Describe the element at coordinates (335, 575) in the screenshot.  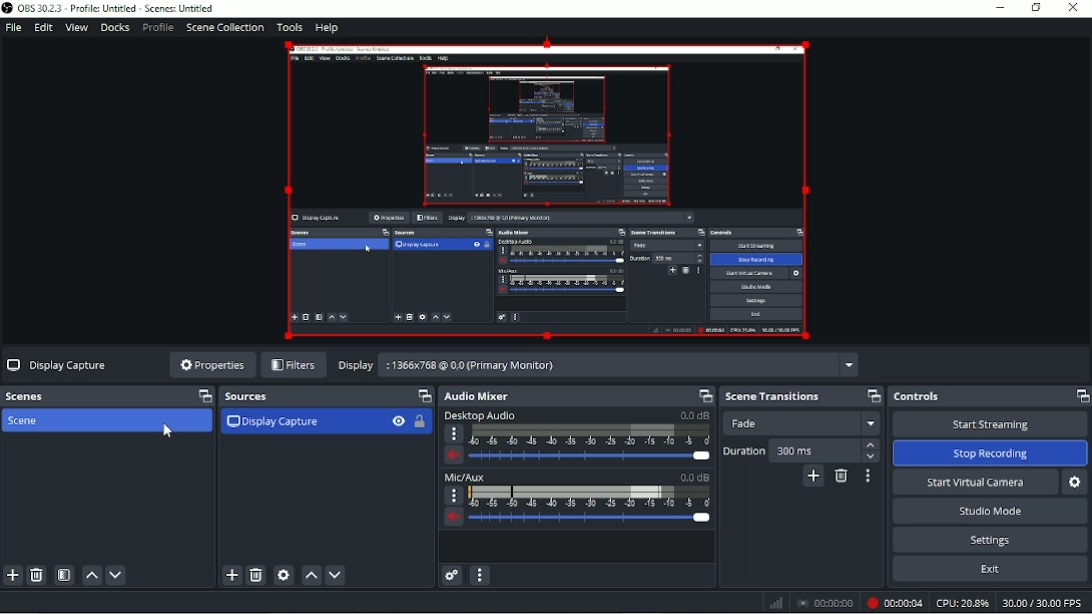
I see `Move source(s) down` at that location.